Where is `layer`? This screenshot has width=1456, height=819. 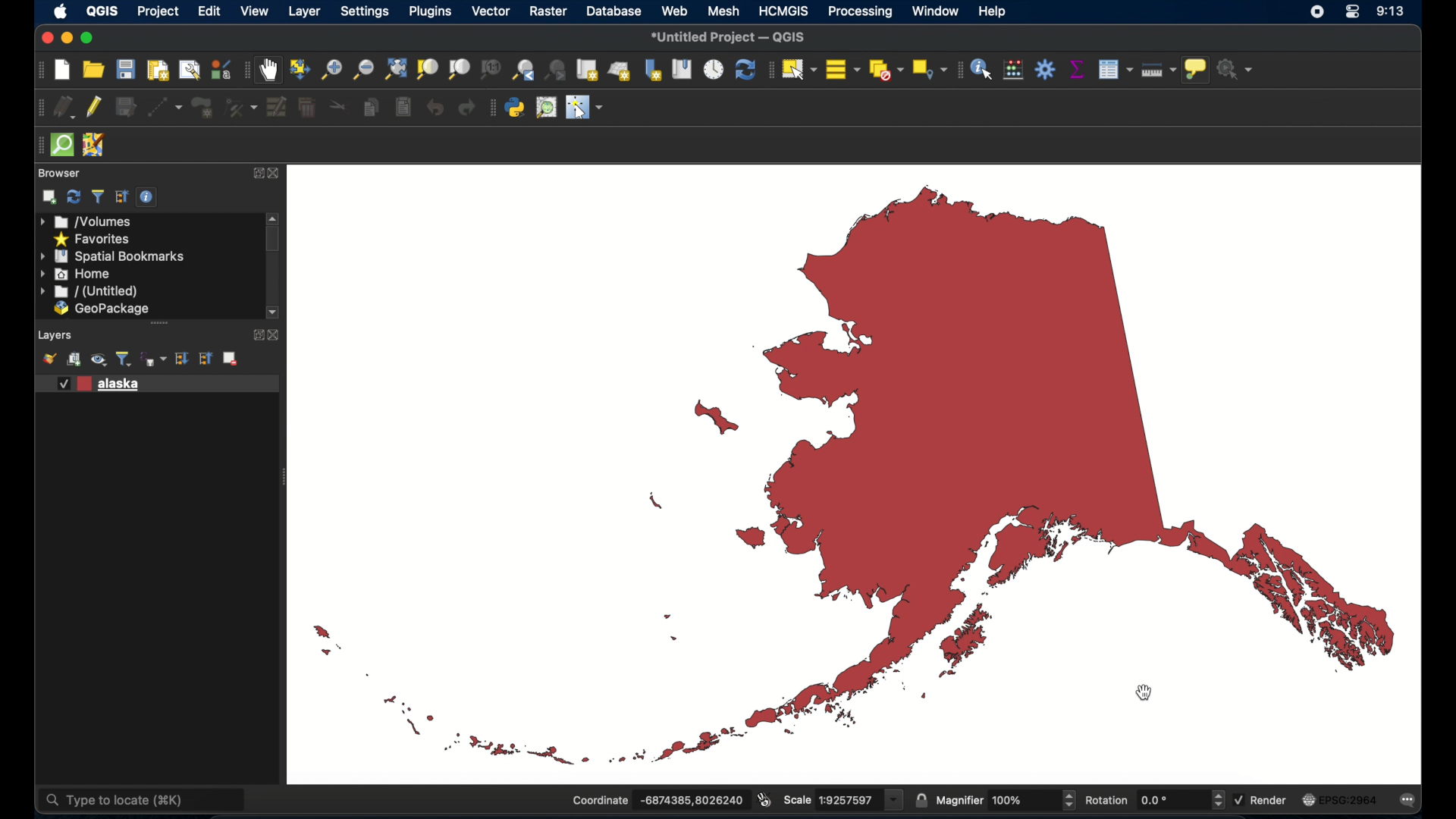 layer is located at coordinates (302, 11).